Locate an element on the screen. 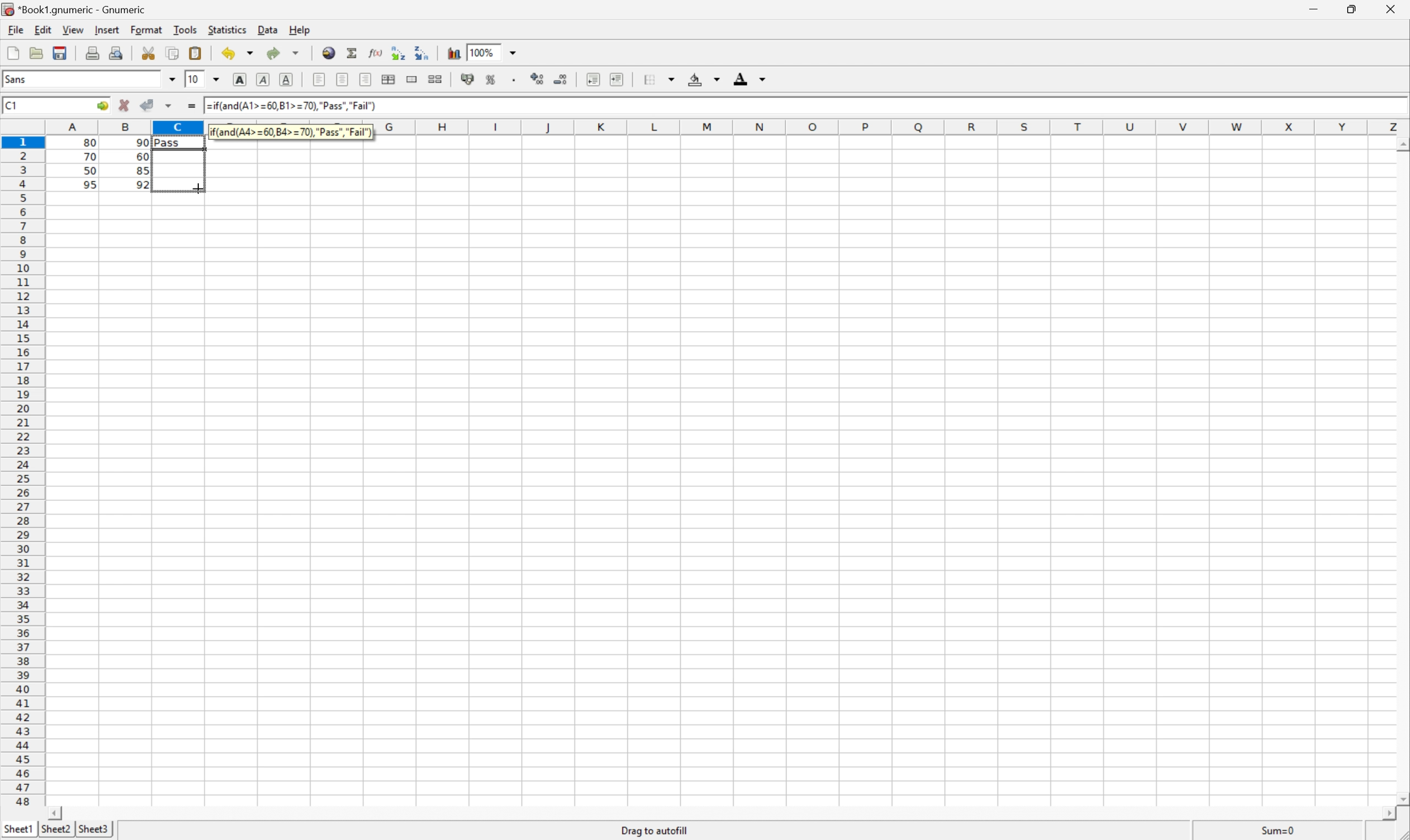 The width and height of the screenshot is (1410, 840). Sort the selected region in ascending order based on the first column selected is located at coordinates (397, 53).